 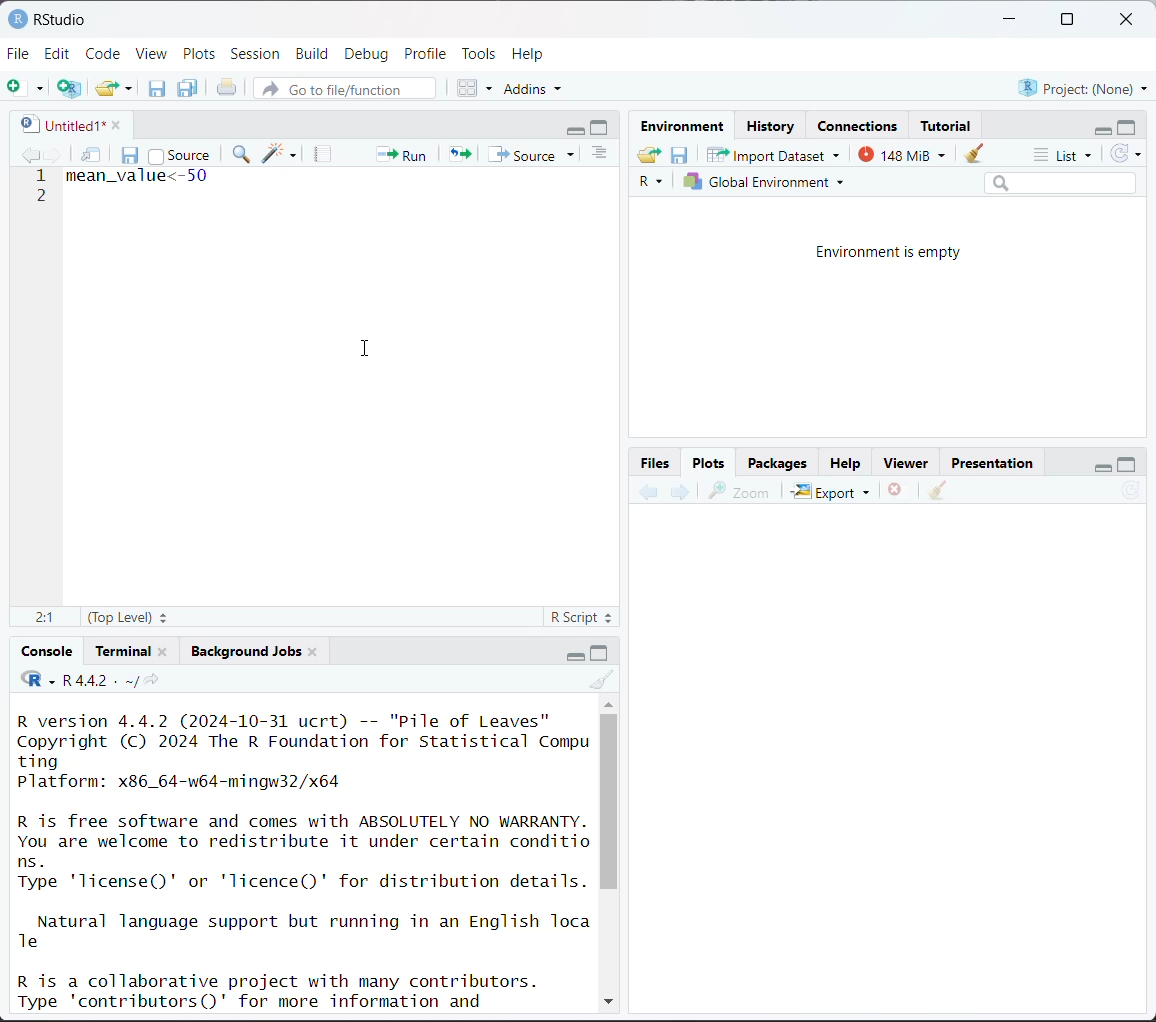 What do you see at coordinates (313, 650) in the screenshot?
I see `close` at bounding box center [313, 650].